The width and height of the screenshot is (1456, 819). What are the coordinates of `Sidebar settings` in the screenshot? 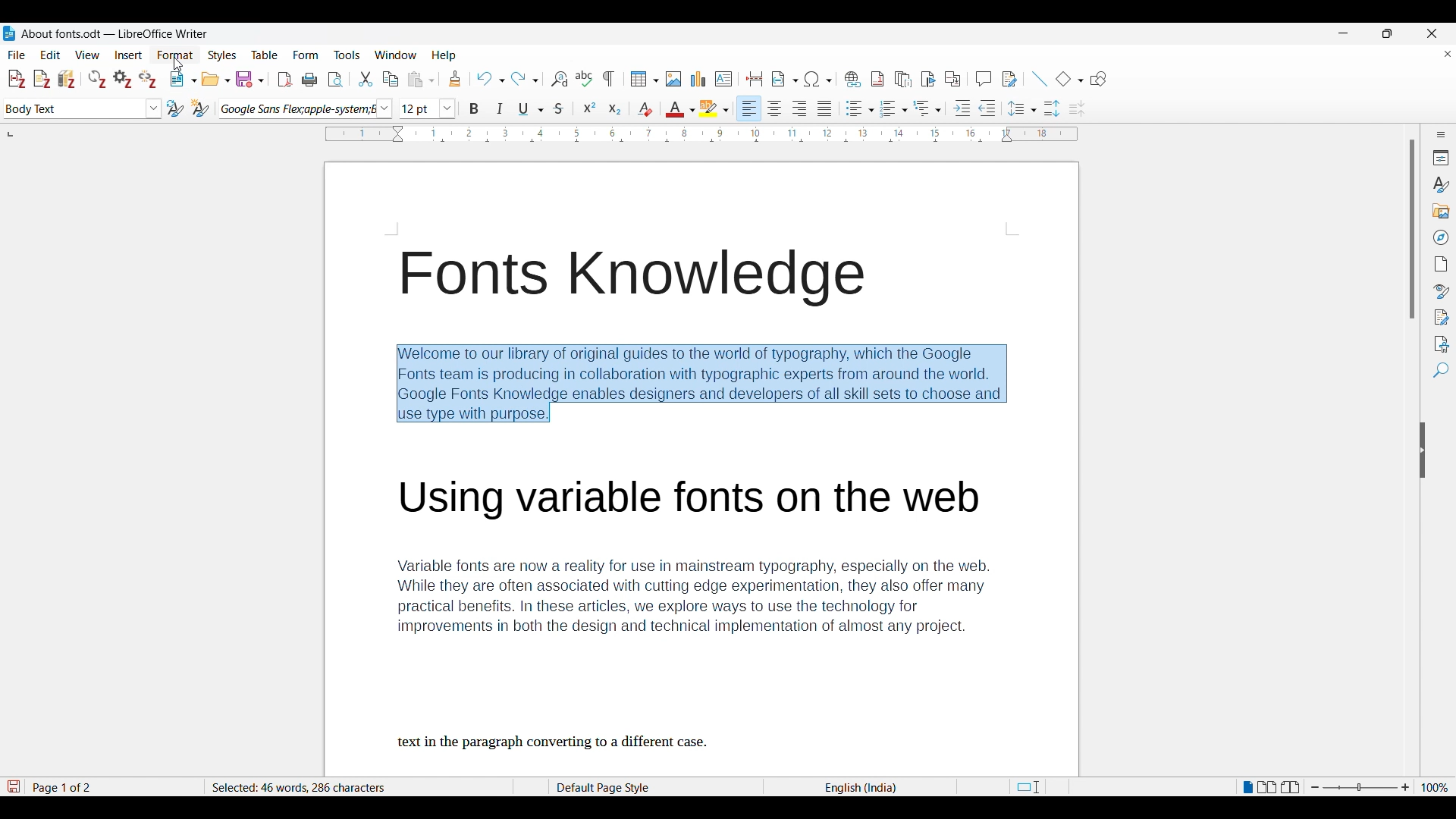 It's located at (1442, 134).